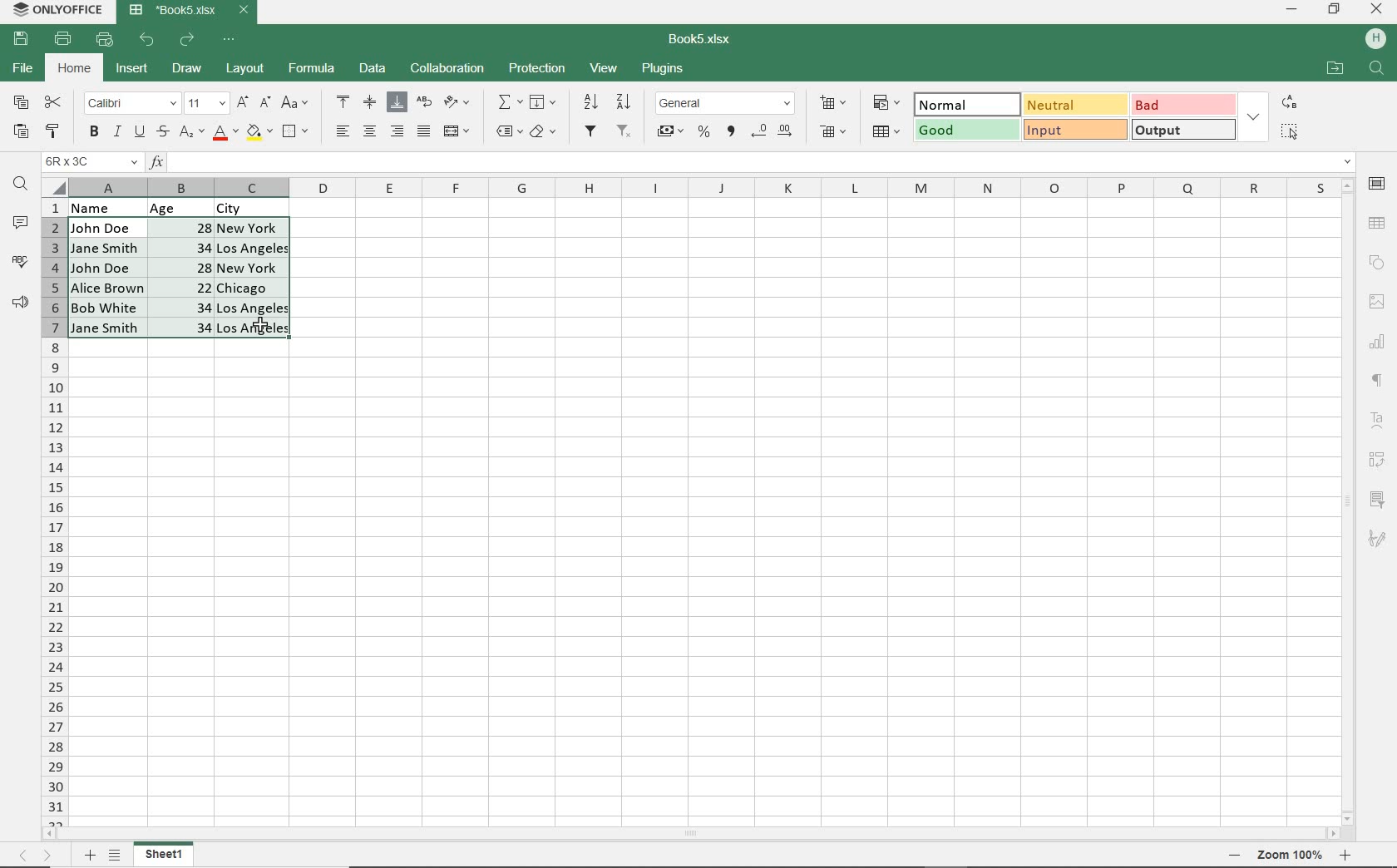  I want to click on STRIKETHROUGH, so click(161, 131).